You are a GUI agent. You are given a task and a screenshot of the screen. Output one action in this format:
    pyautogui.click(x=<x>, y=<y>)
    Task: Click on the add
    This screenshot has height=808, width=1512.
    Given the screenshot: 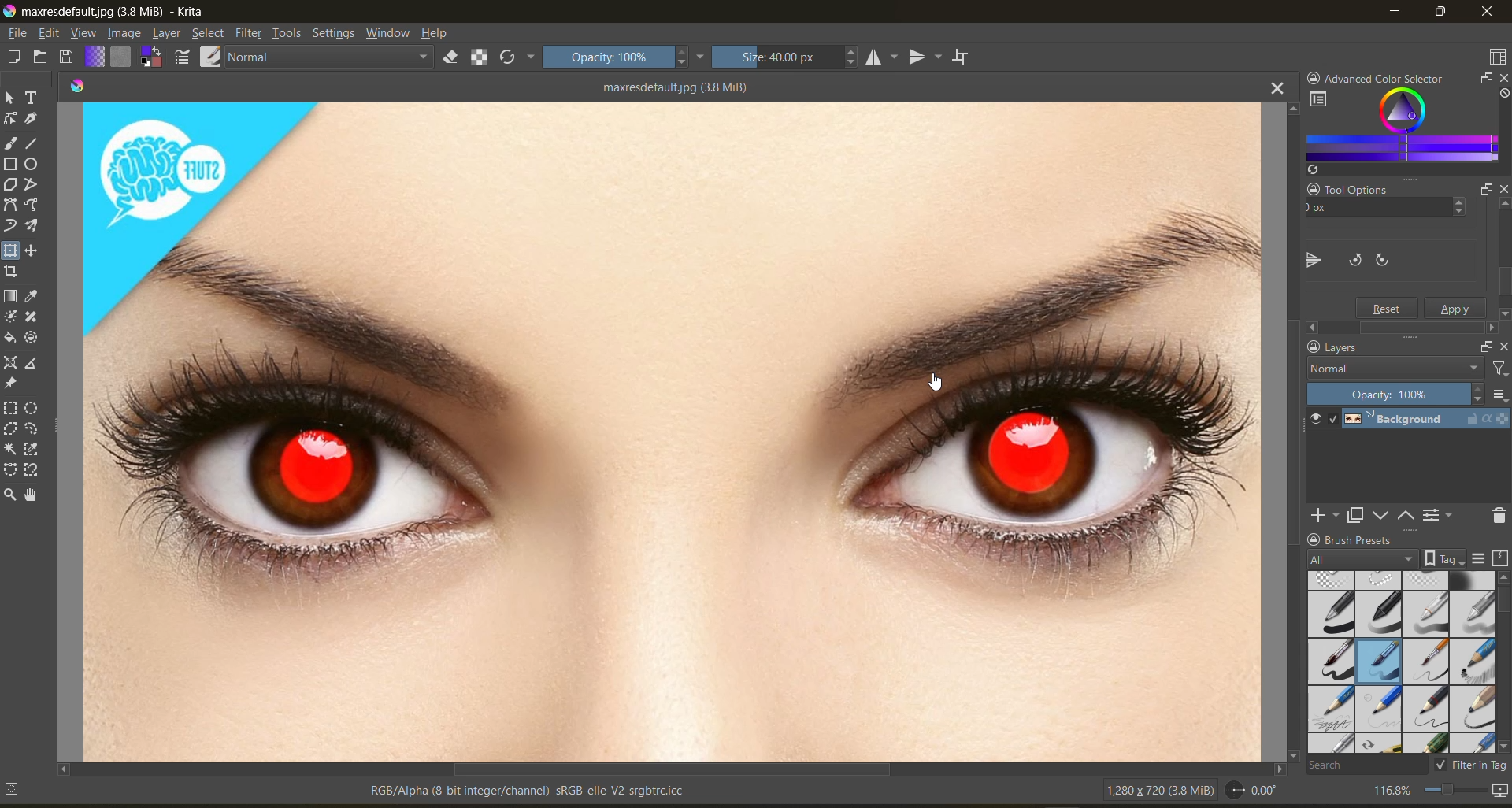 What is the action you would take?
    pyautogui.click(x=1322, y=515)
    